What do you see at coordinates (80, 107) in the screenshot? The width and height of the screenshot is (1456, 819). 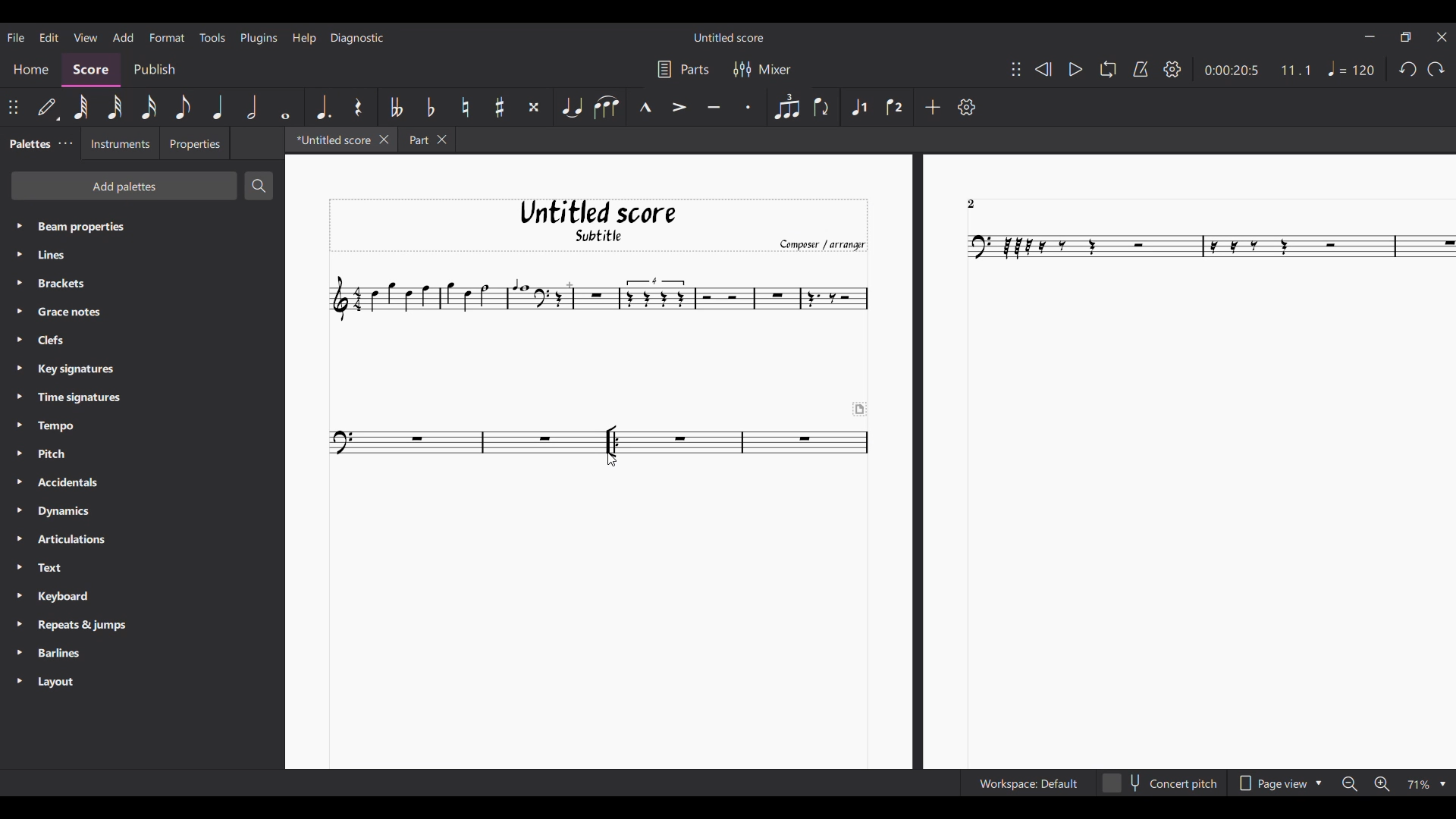 I see `64th note` at bounding box center [80, 107].